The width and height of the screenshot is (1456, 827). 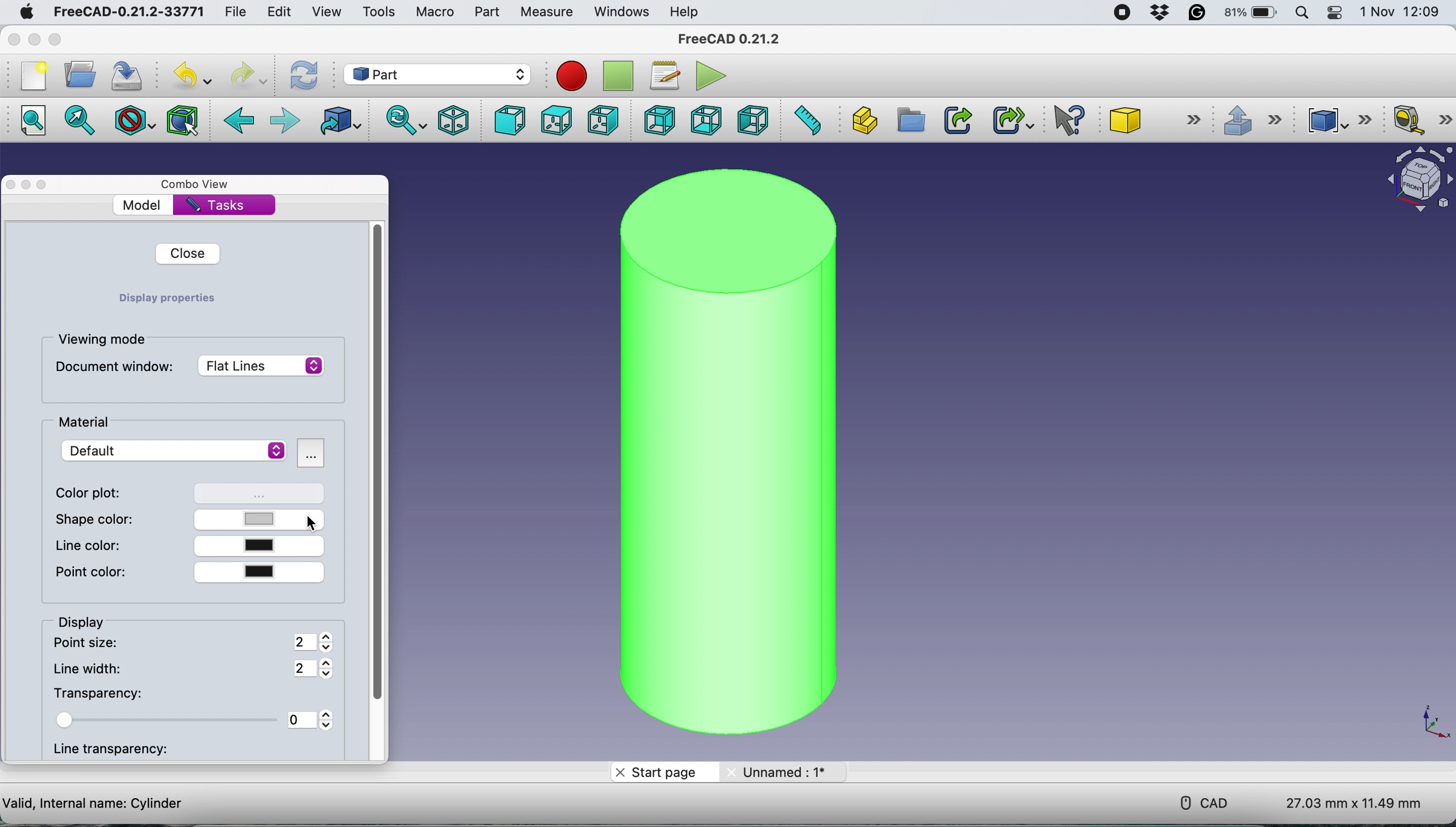 What do you see at coordinates (862, 120) in the screenshot?
I see `create part` at bounding box center [862, 120].